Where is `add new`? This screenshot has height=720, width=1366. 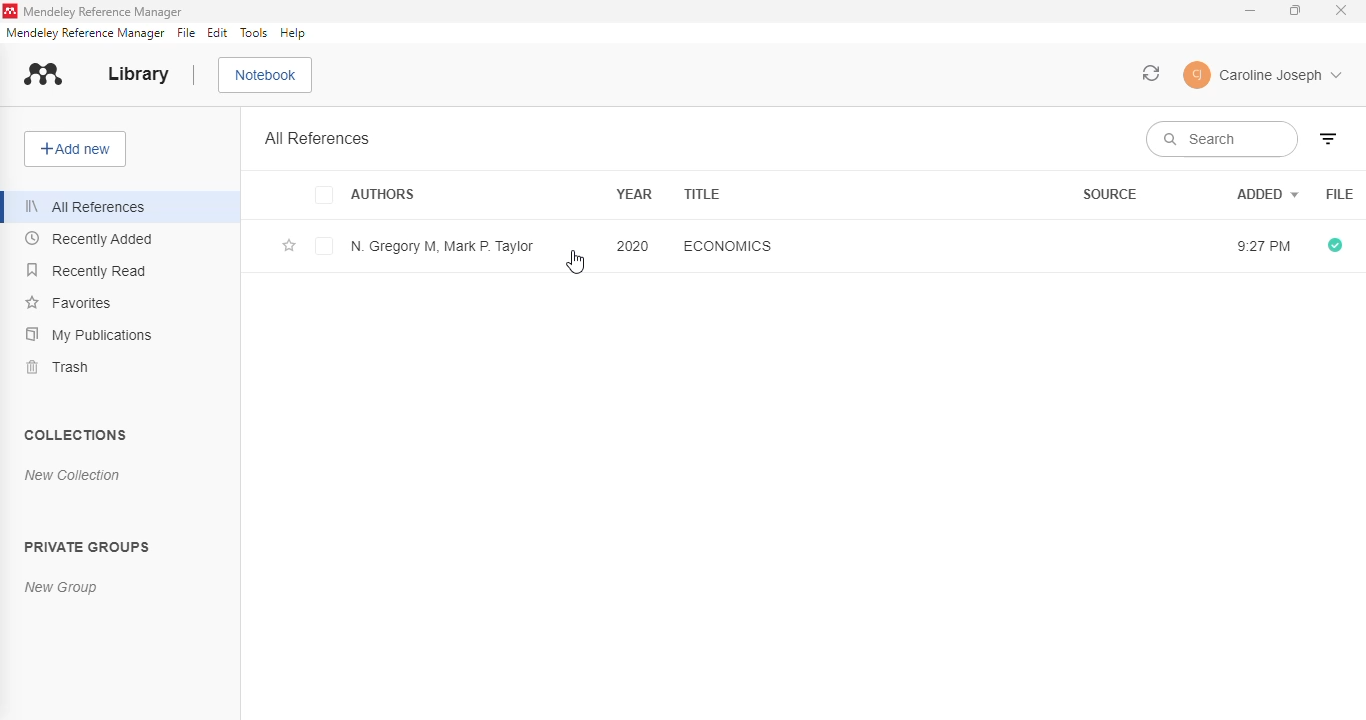
add new is located at coordinates (74, 148).